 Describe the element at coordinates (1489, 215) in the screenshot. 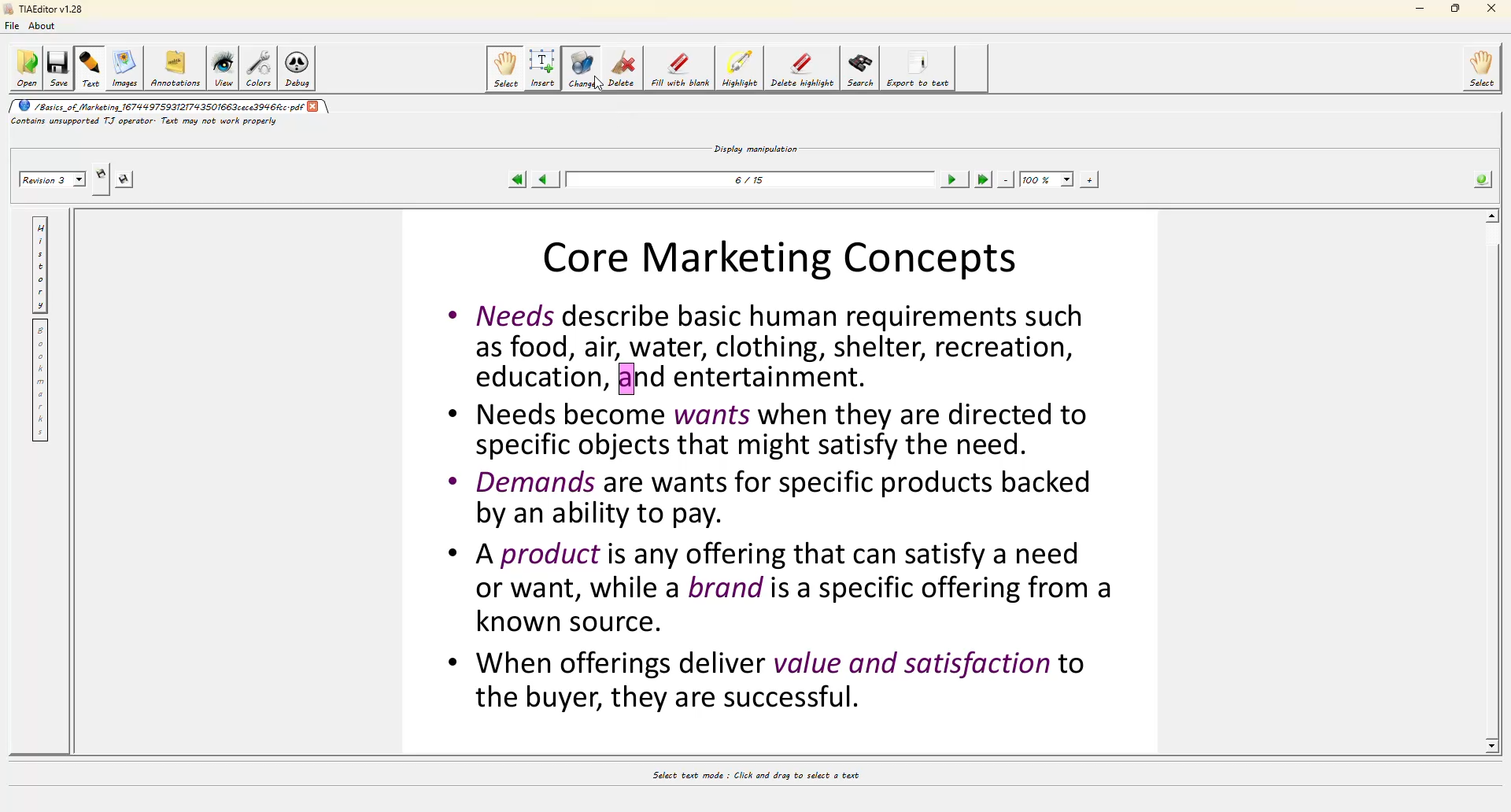

I see `scroll up` at that location.